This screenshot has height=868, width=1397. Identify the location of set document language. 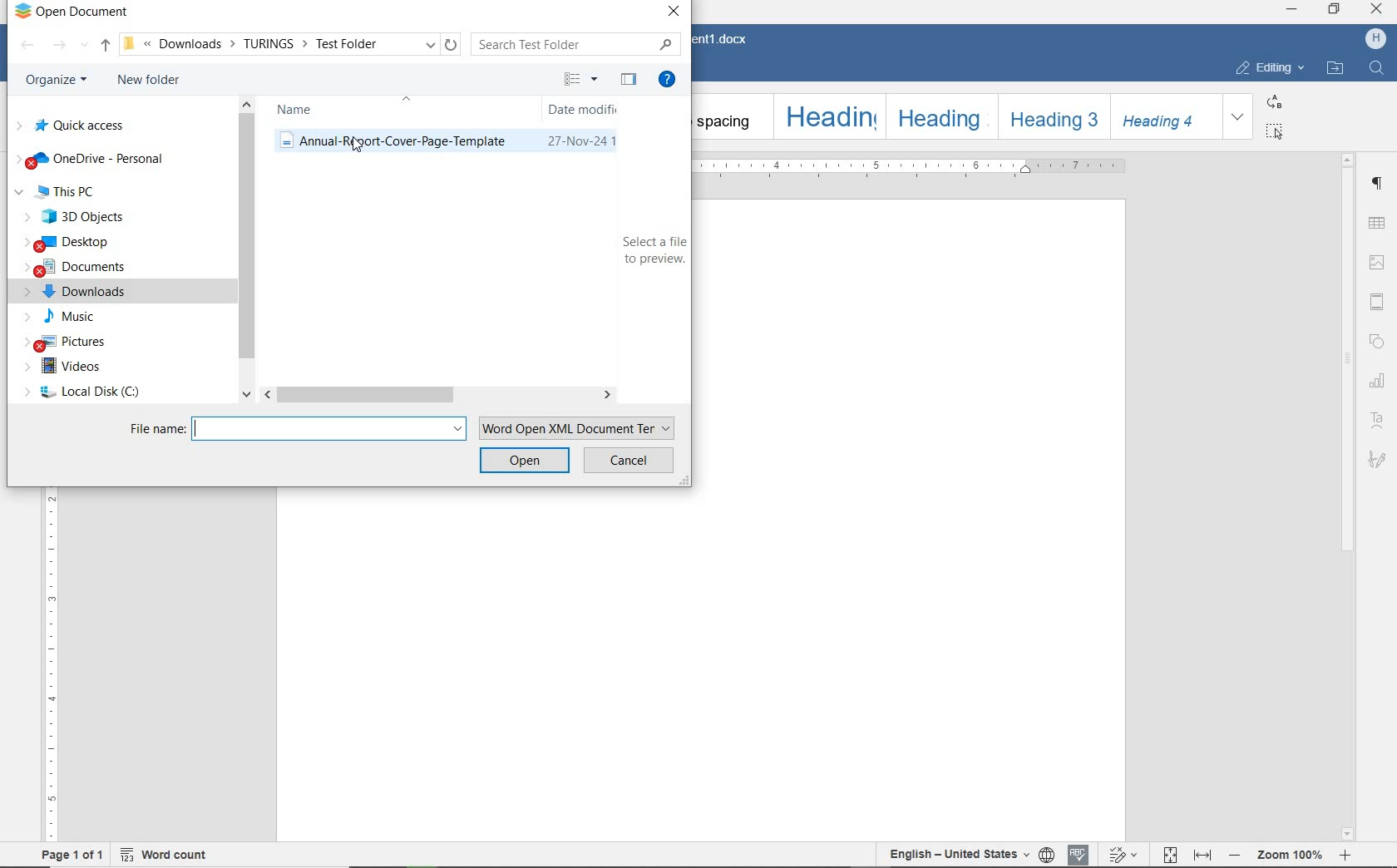
(1048, 855).